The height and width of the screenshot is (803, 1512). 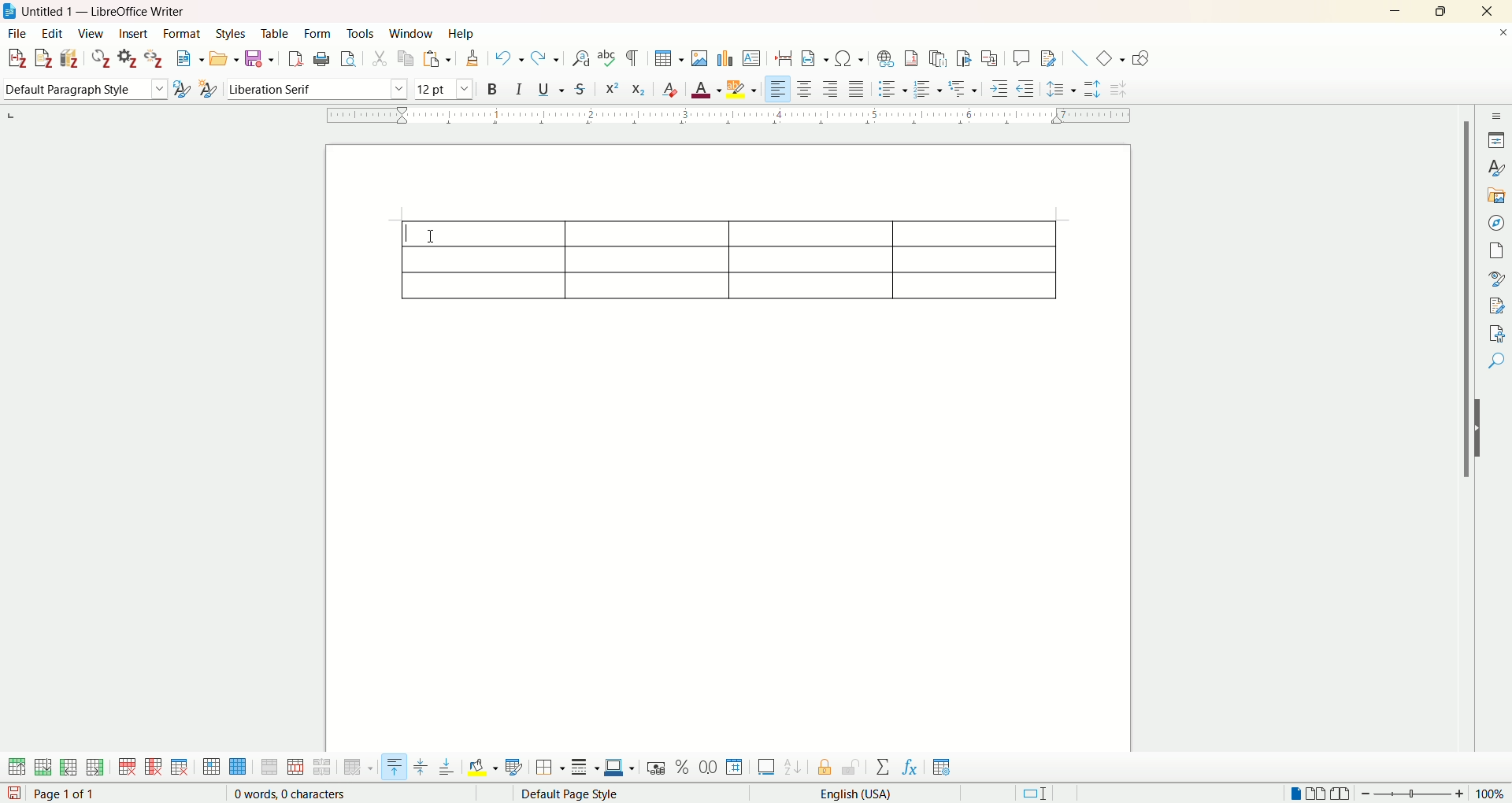 What do you see at coordinates (723, 60) in the screenshot?
I see `insert chart` at bounding box center [723, 60].